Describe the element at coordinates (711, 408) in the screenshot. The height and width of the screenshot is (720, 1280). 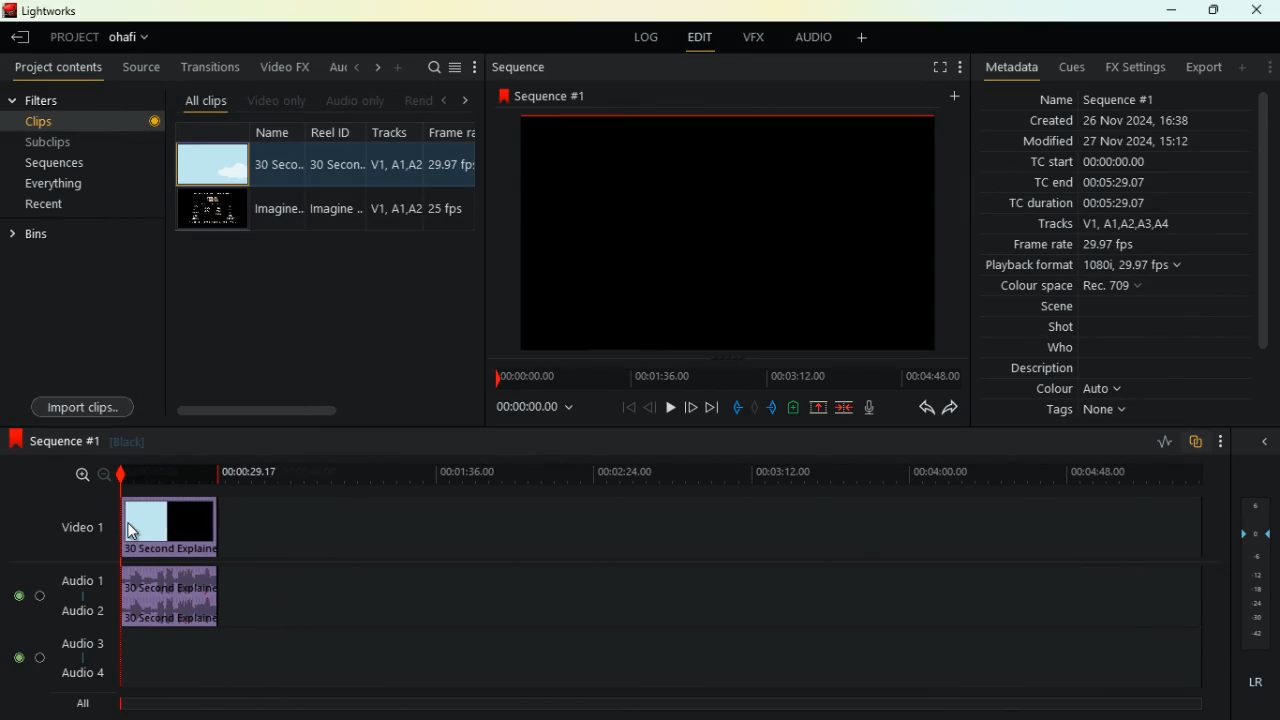
I see `end` at that location.